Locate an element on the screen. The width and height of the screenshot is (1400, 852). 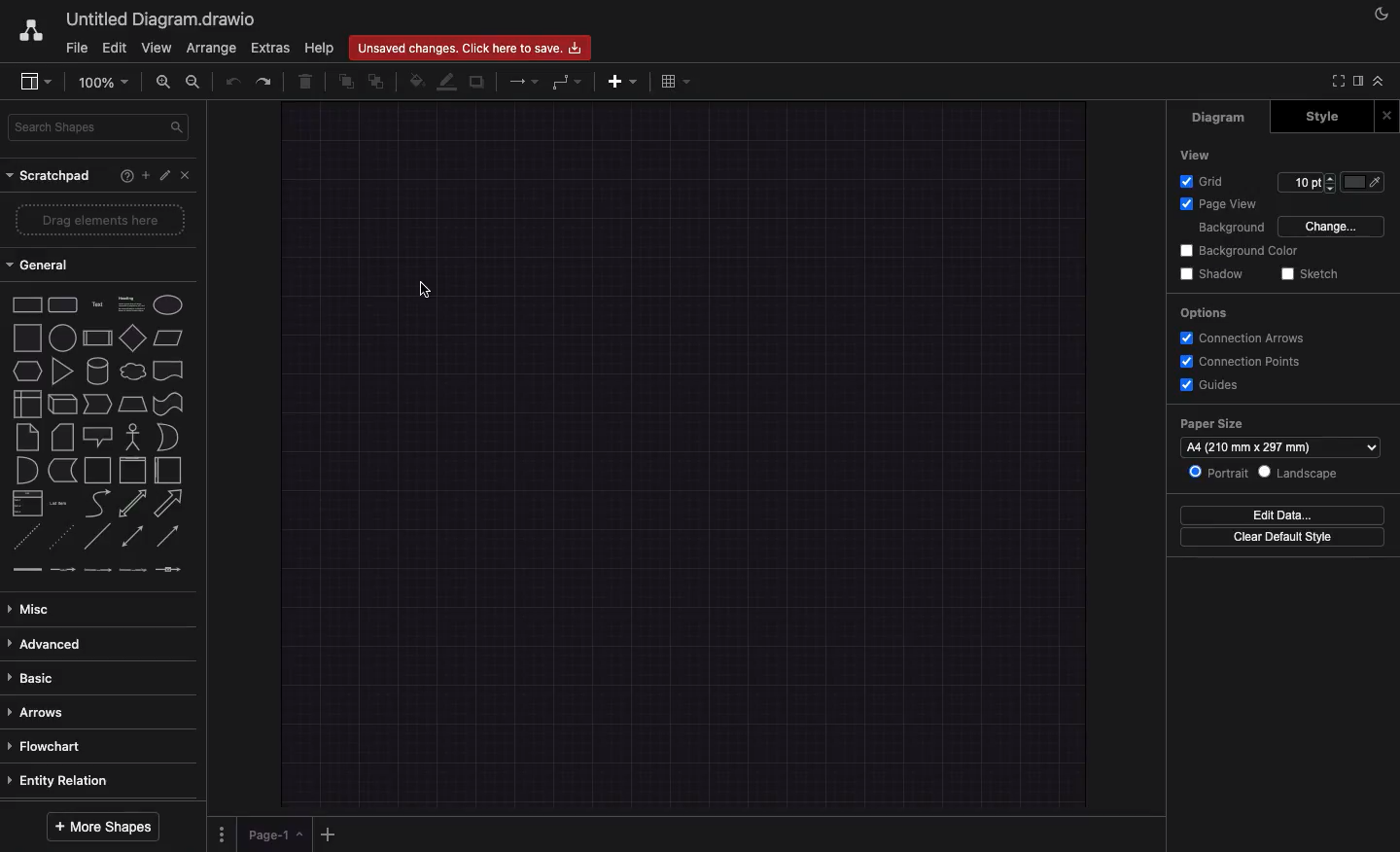
connector with 3 label is located at coordinates (133, 574).